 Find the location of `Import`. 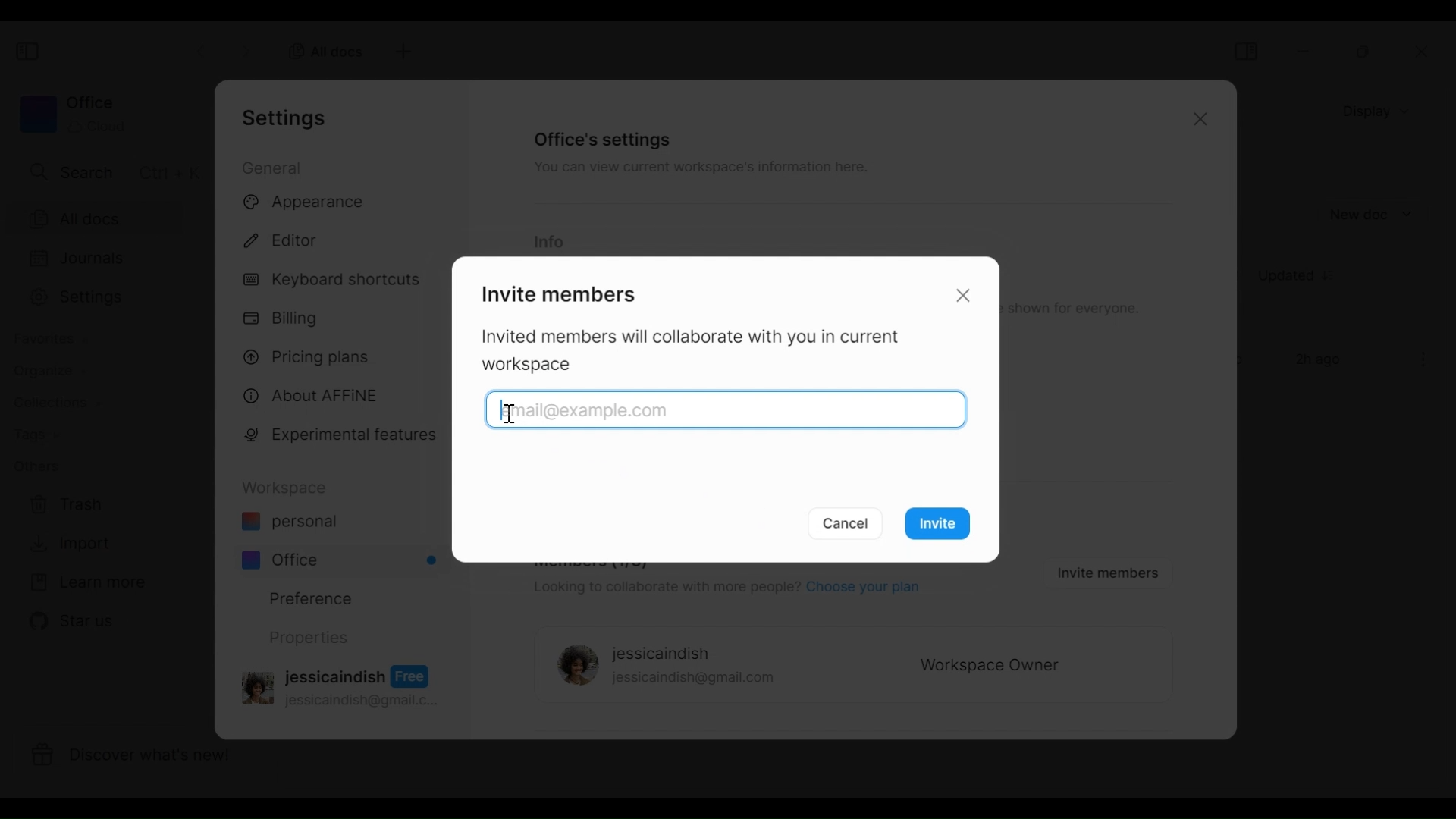

Import is located at coordinates (67, 544).